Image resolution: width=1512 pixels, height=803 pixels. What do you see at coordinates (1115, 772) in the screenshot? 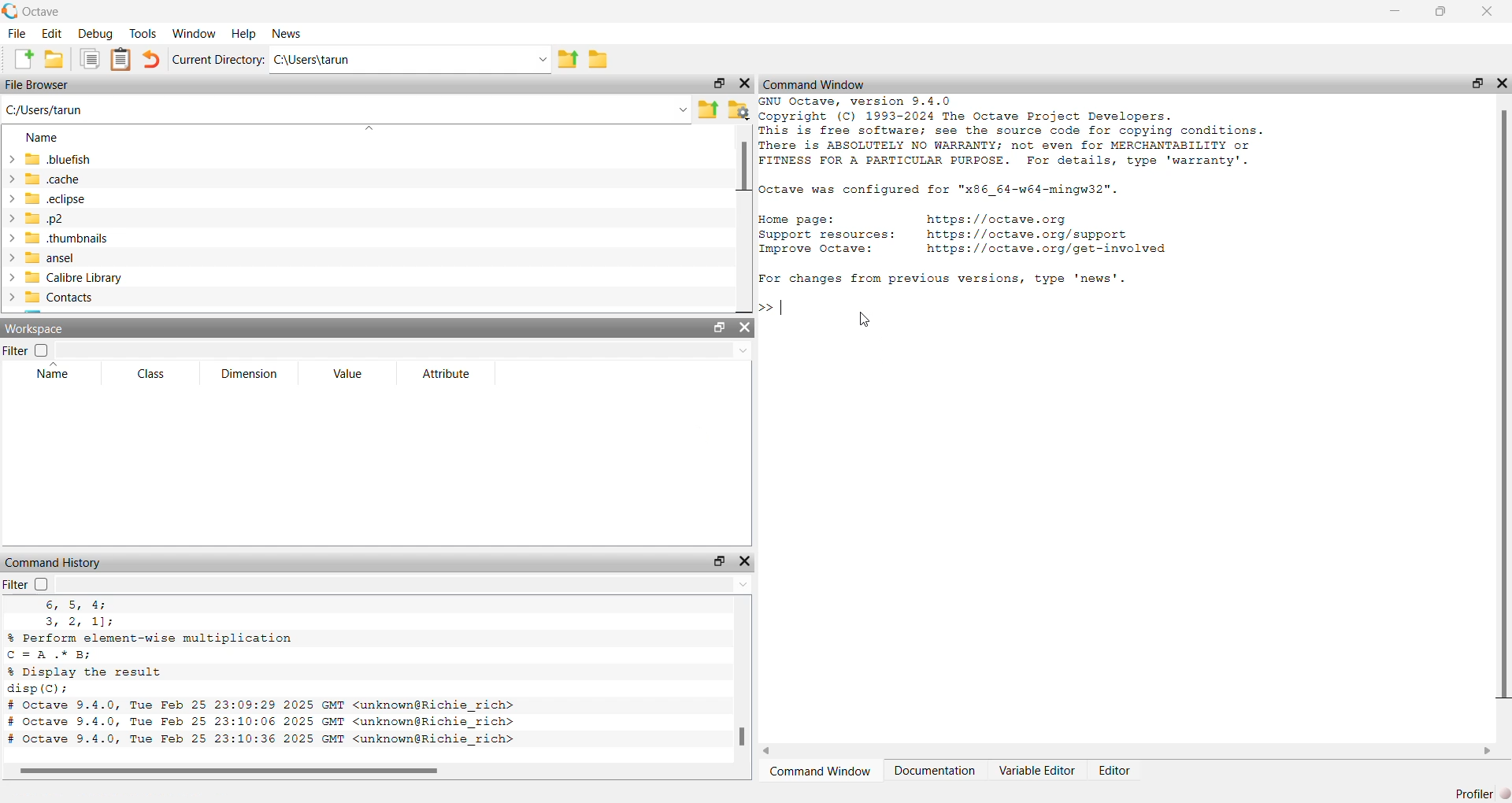
I see `Editor` at bounding box center [1115, 772].